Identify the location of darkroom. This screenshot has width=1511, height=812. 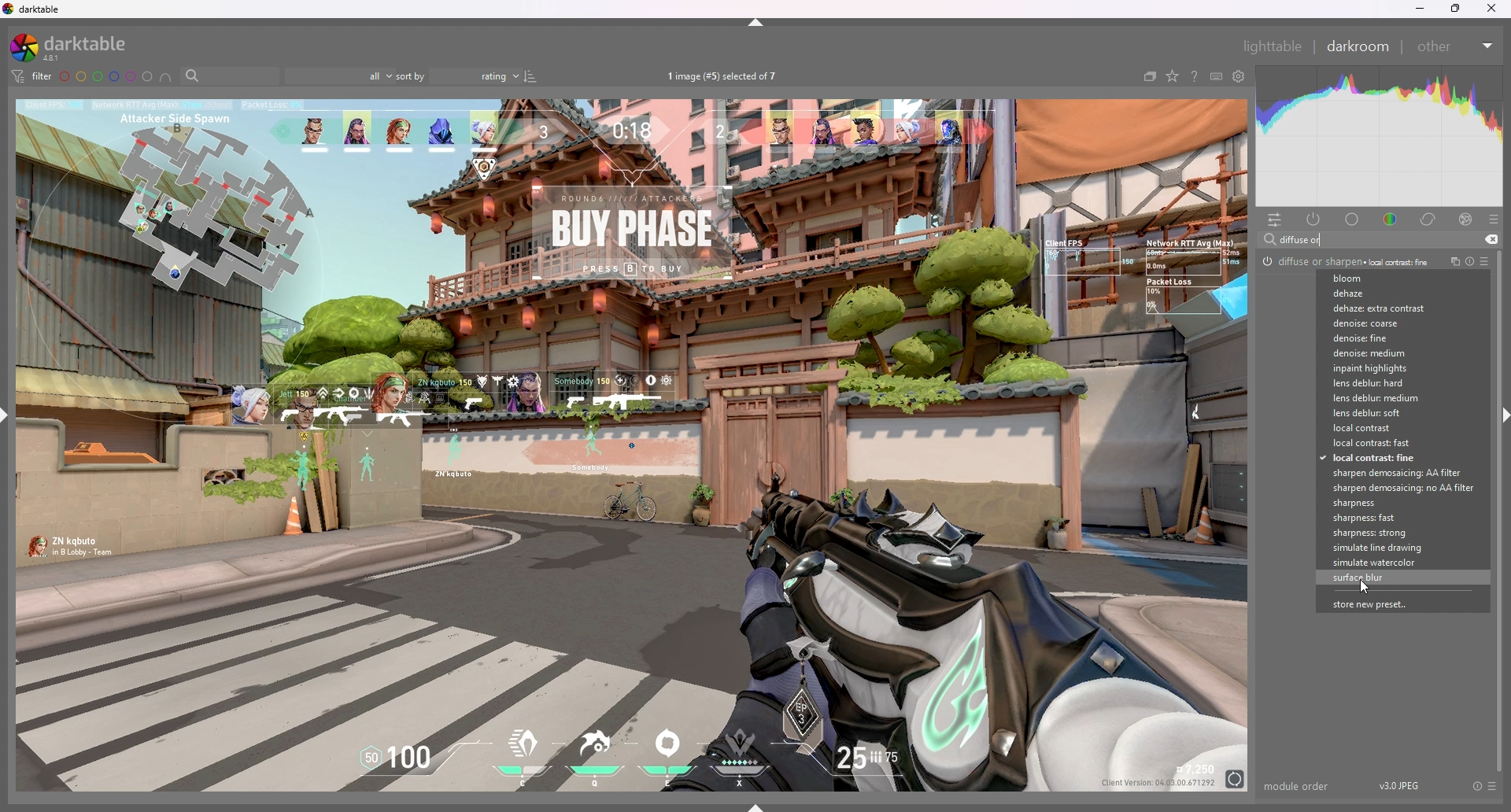
(1360, 46).